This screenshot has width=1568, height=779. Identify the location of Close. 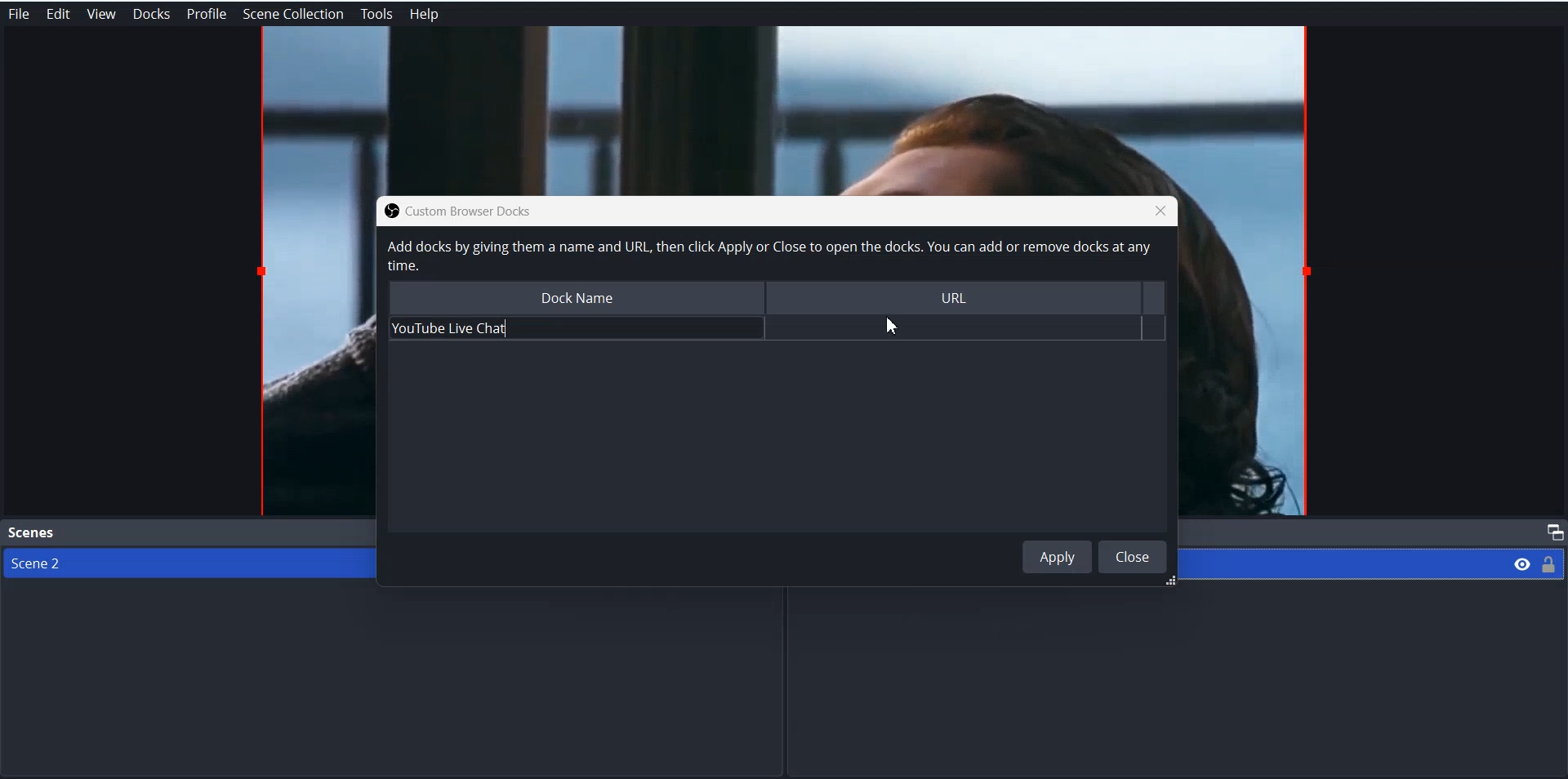
(1133, 556).